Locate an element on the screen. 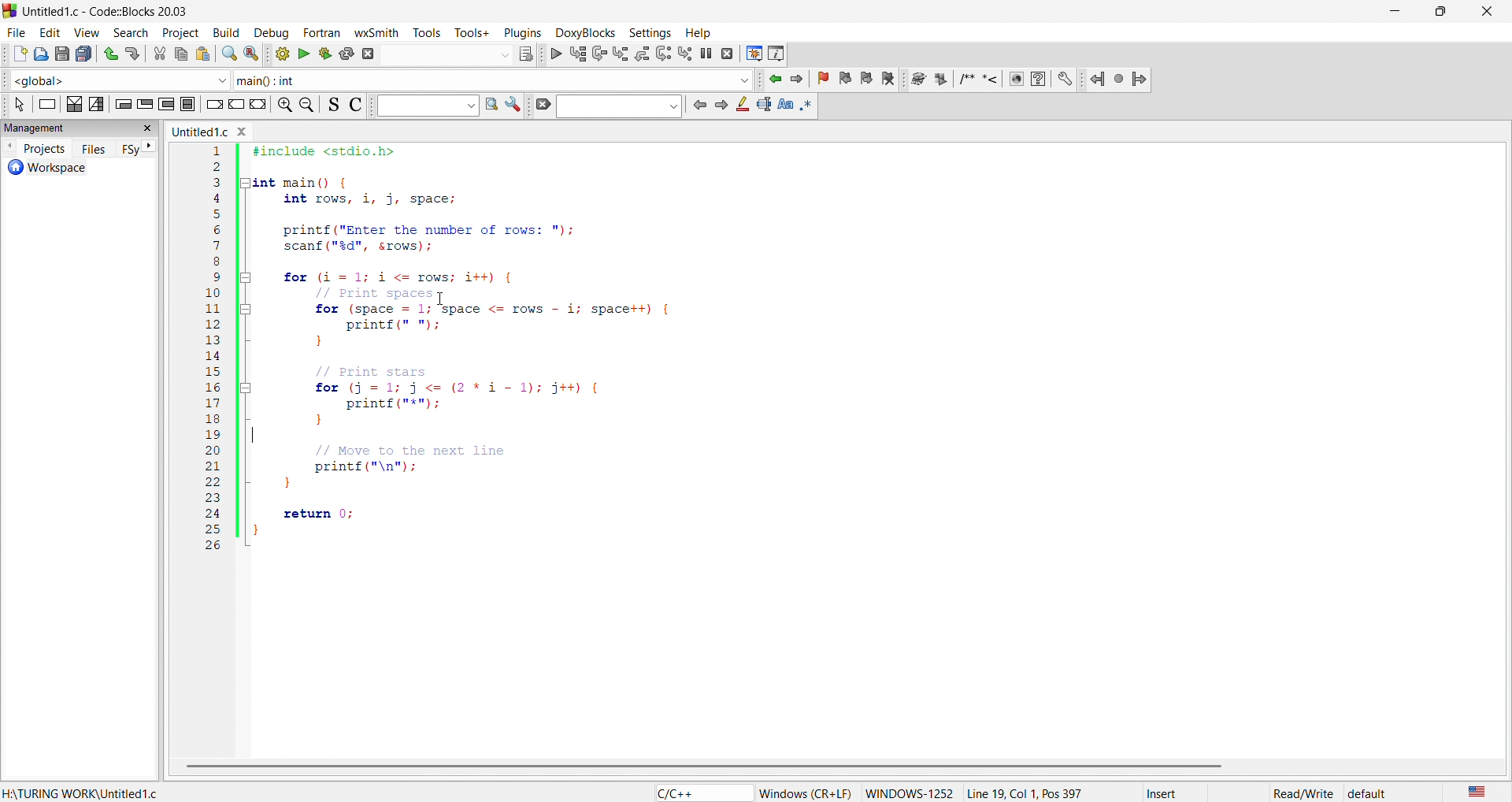 The image size is (1512, 802). clear is located at coordinates (540, 106).